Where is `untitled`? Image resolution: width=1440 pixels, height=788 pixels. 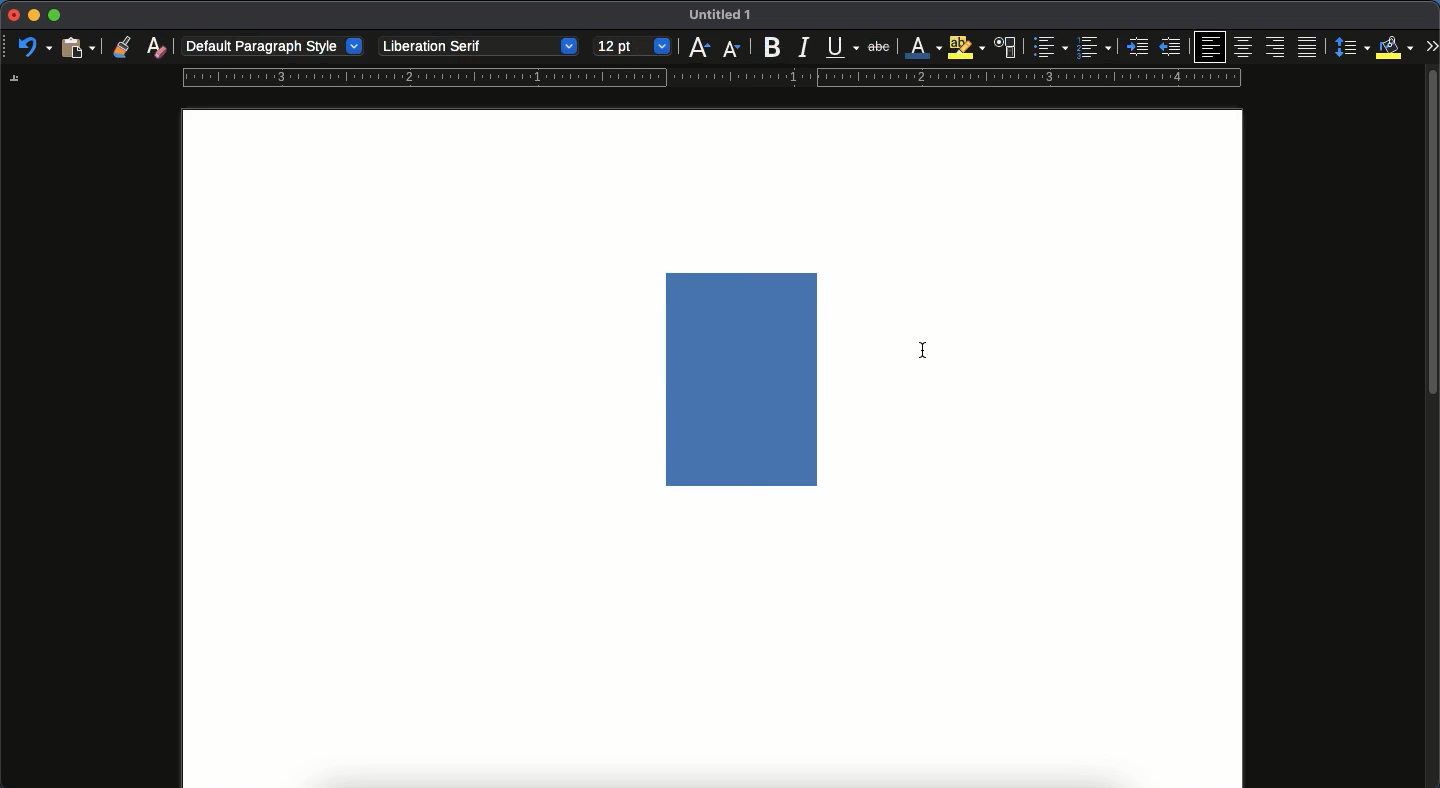
untitled is located at coordinates (716, 16).